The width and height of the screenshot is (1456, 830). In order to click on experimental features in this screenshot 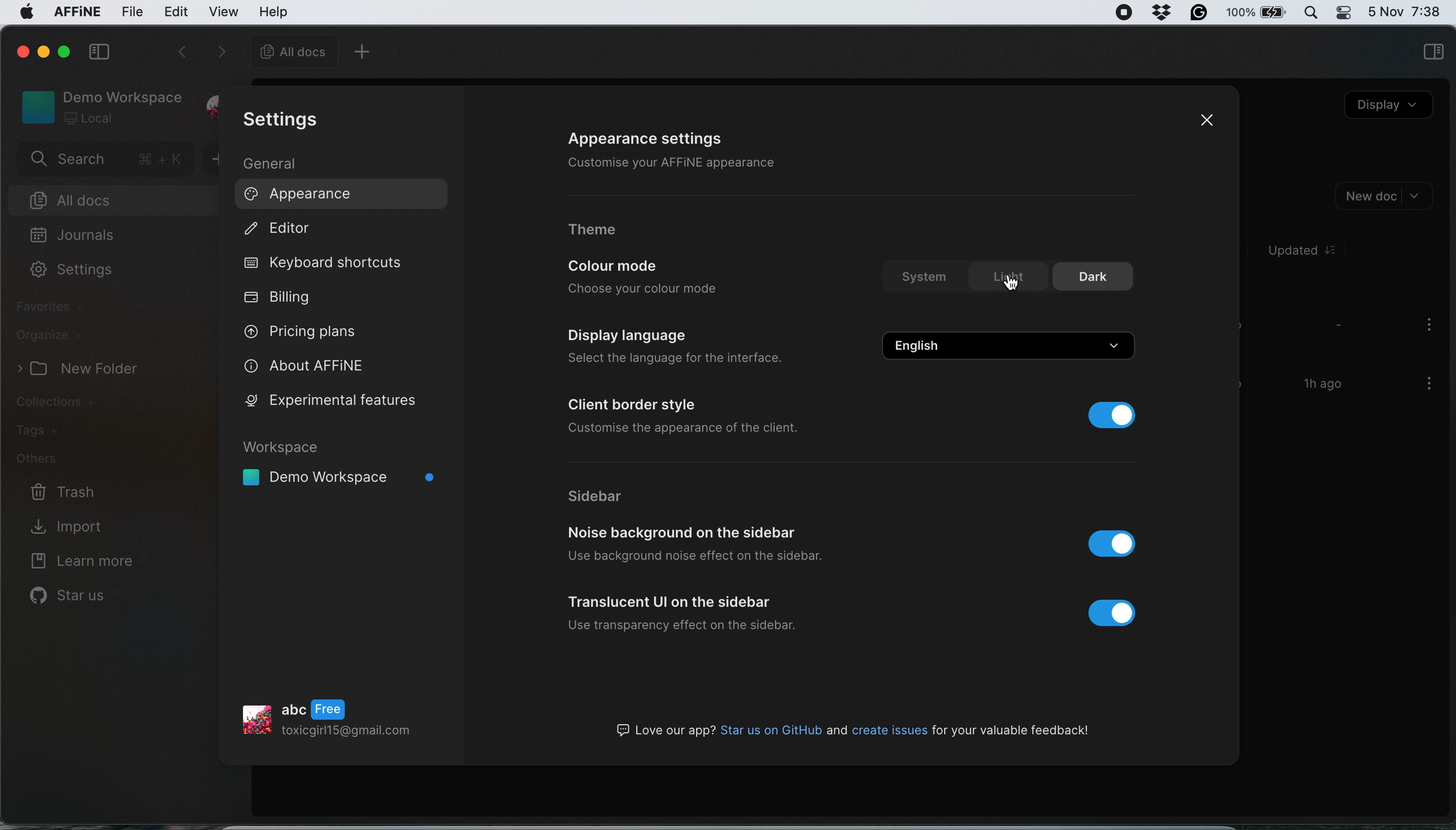, I will do `click(334, 401)`.